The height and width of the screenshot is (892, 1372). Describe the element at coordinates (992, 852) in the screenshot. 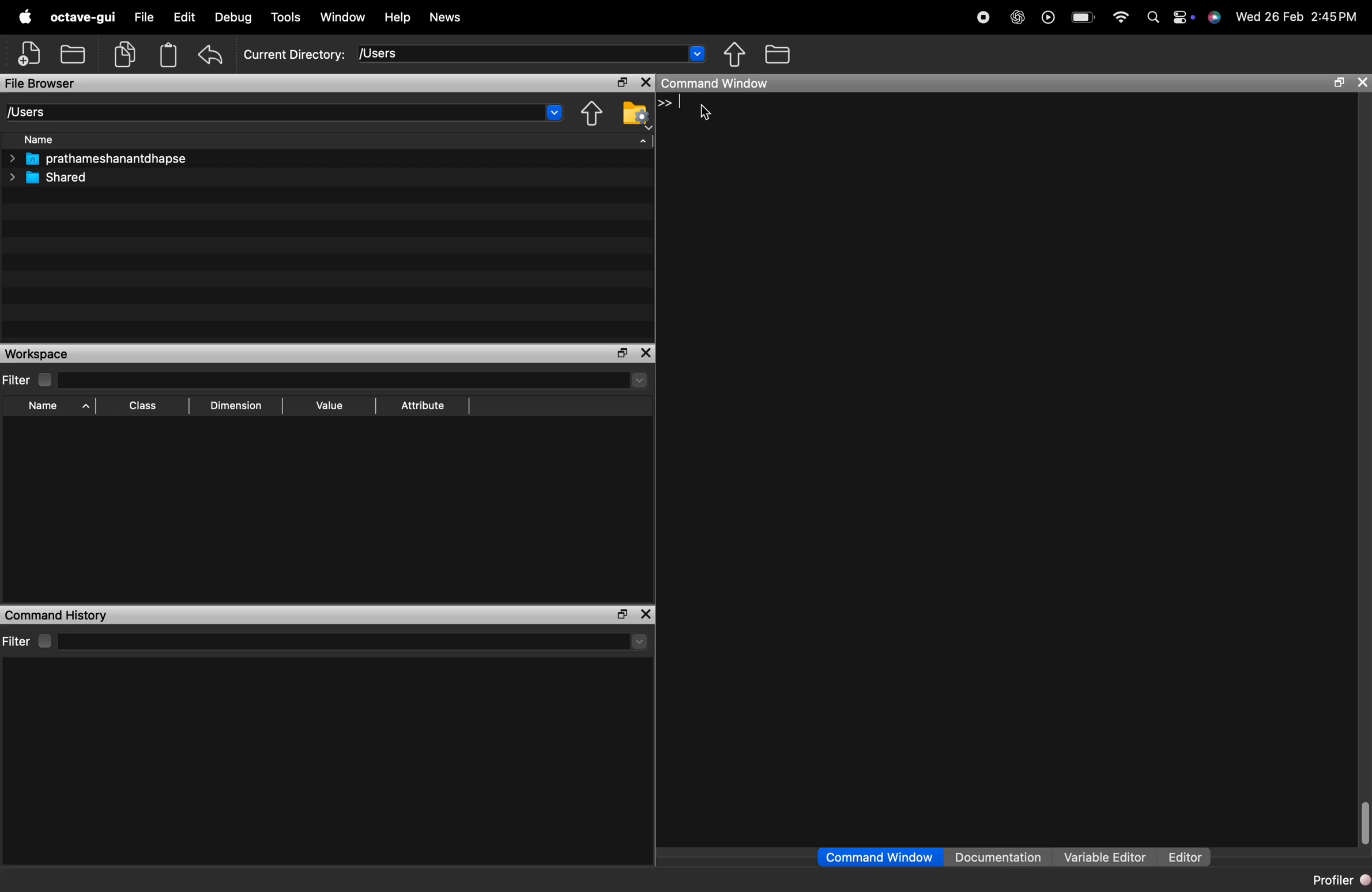

I see `1 Documentation` at that location.